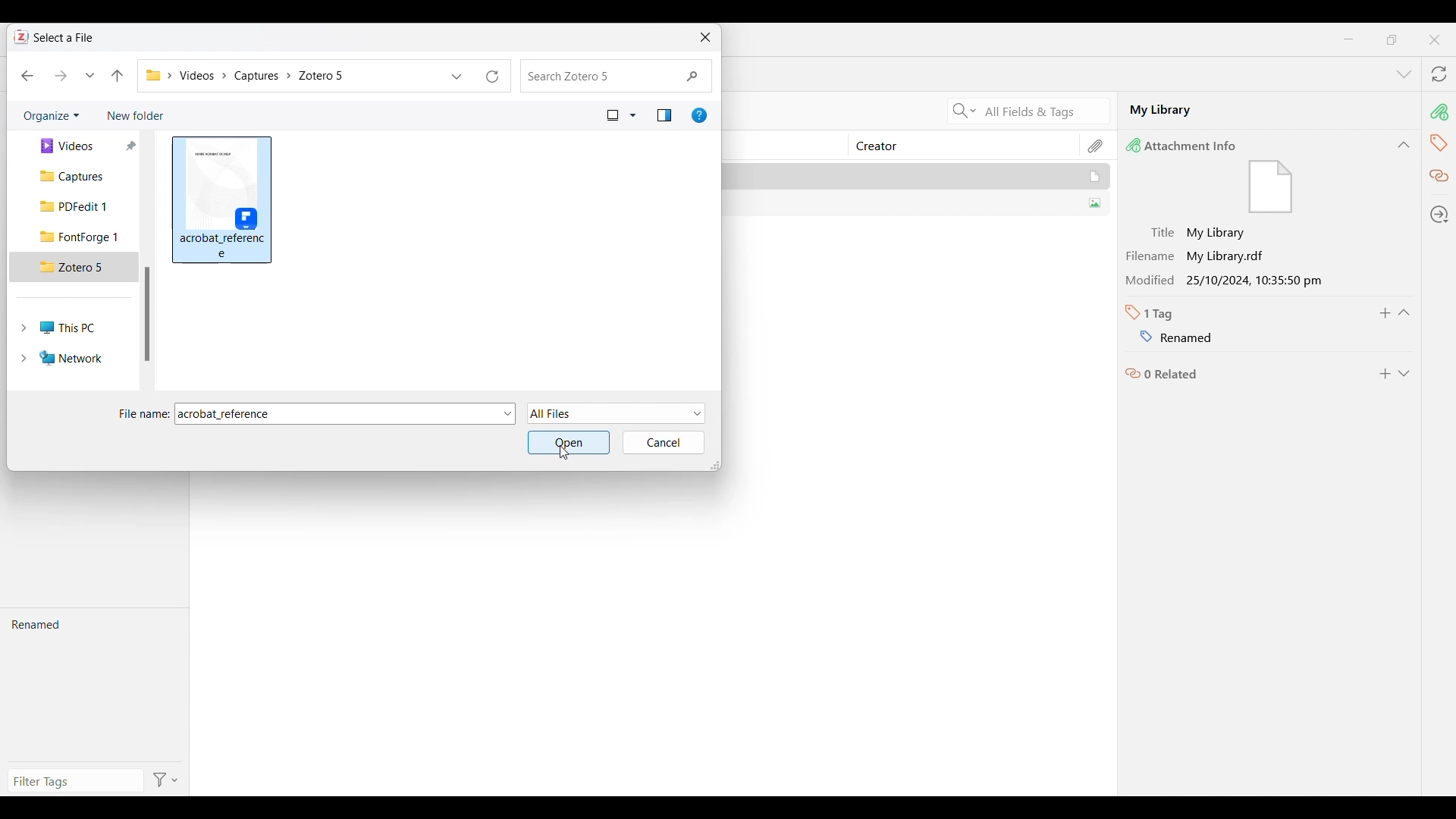 This screenshot has height=819, width=1456. I want to click on Move back, so click(27, 76).